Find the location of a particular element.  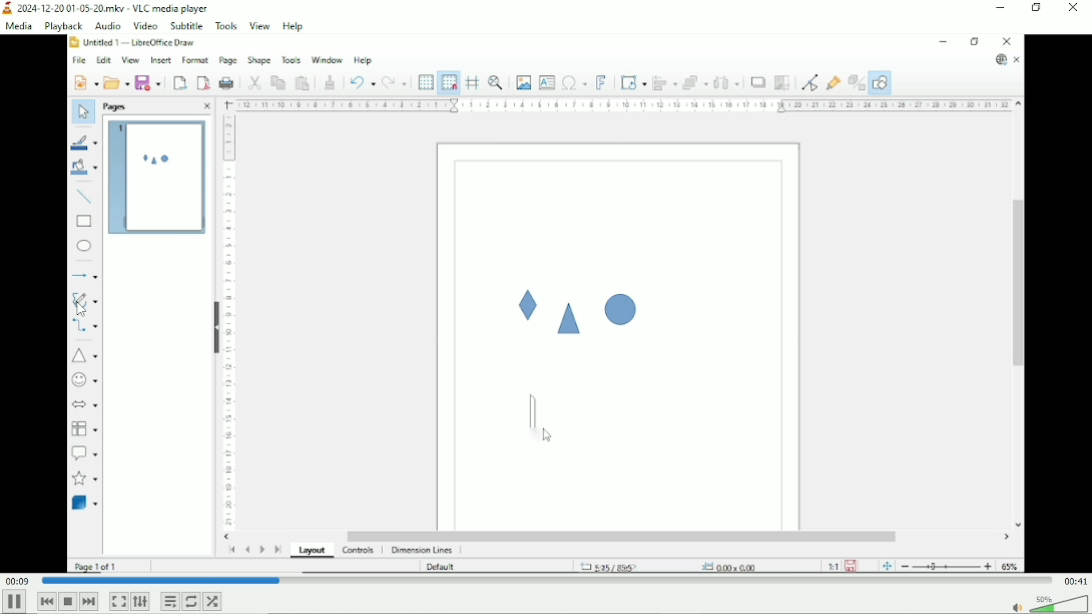

Elapsed time is located at coordinates (17, 580).